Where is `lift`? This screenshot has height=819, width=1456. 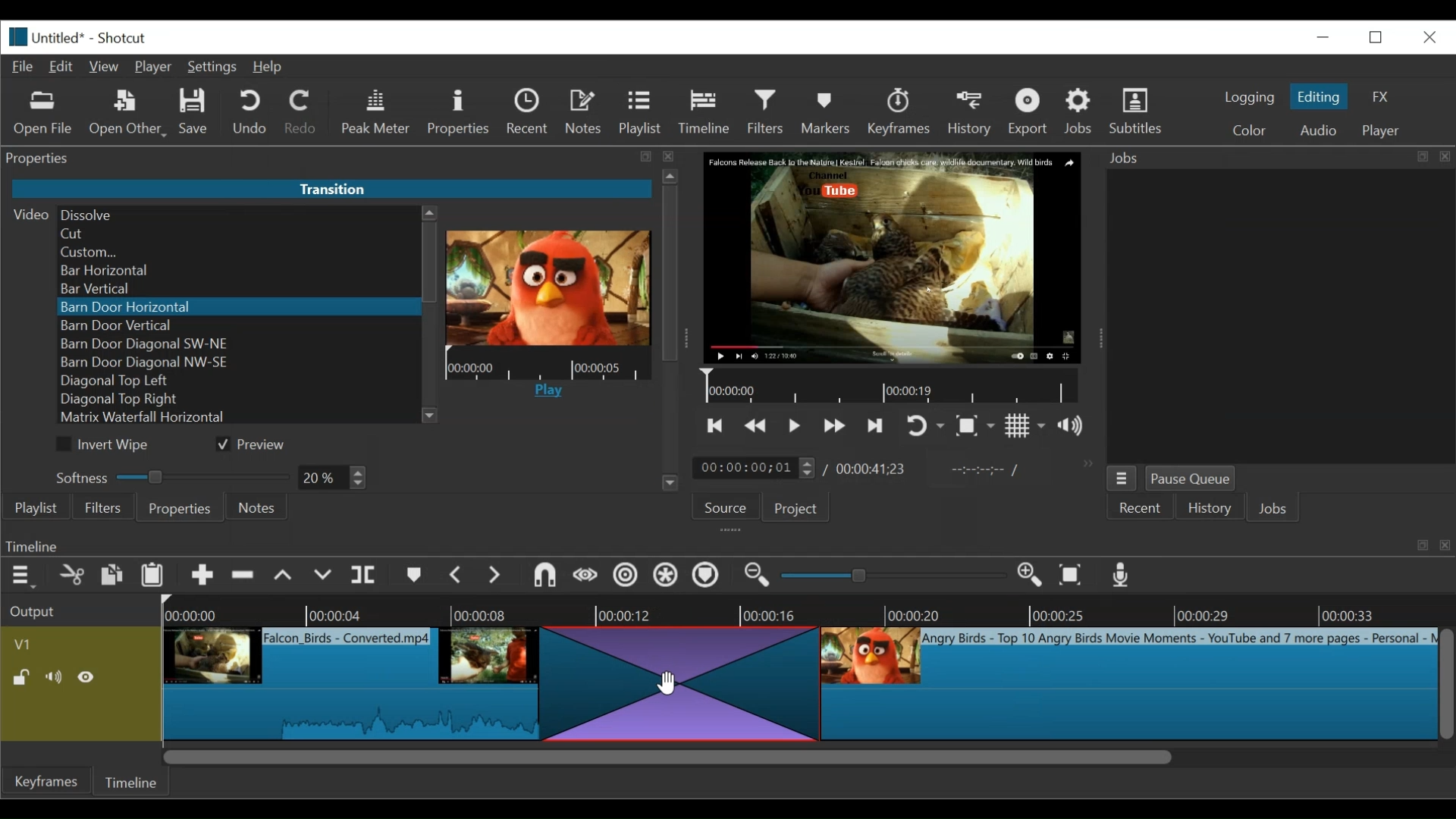 lift is located at coordinates (284, 576).